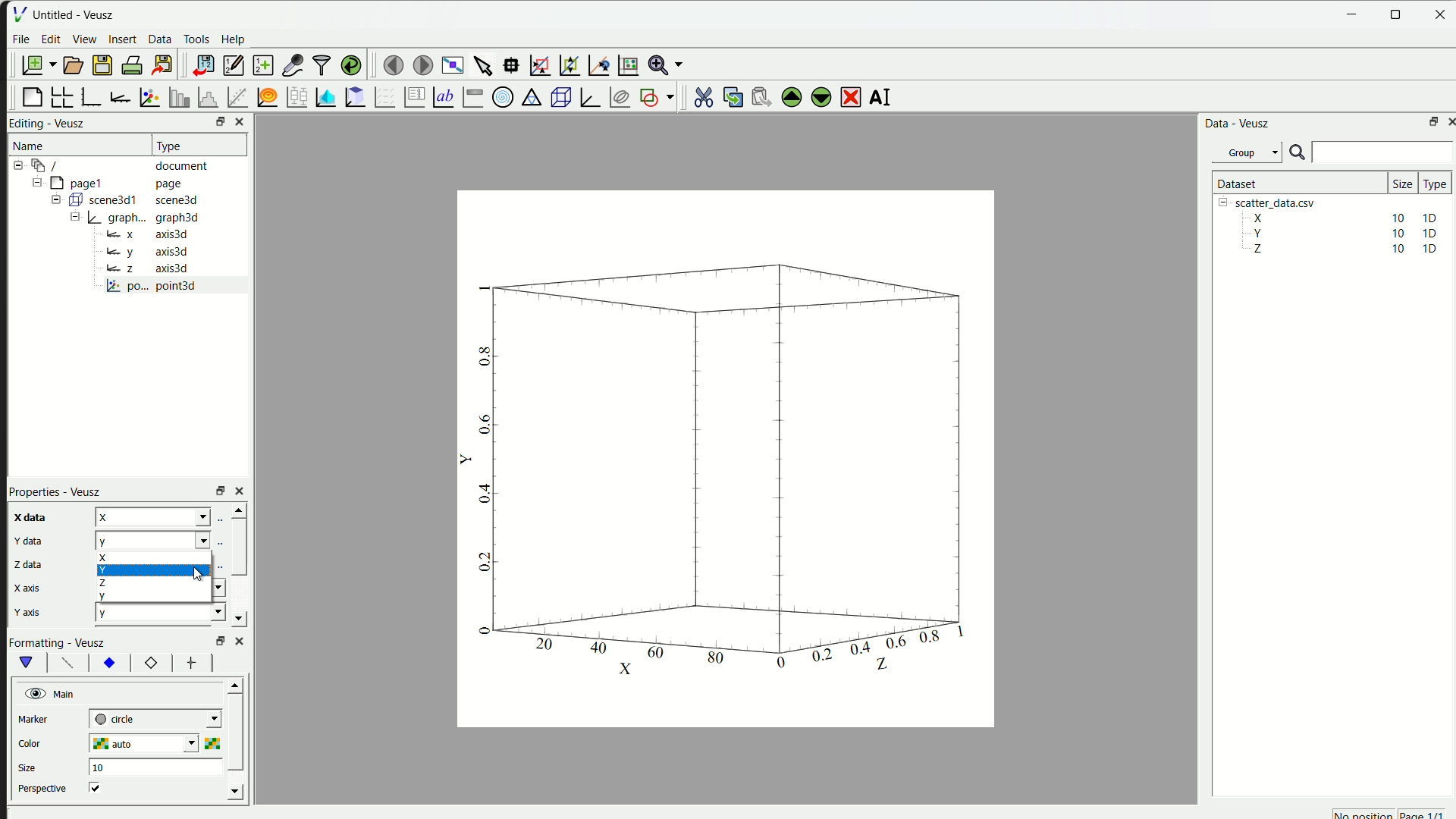 This screenshot has height=819, width=1456. I want to click on po... point3d, so click(154, 287).